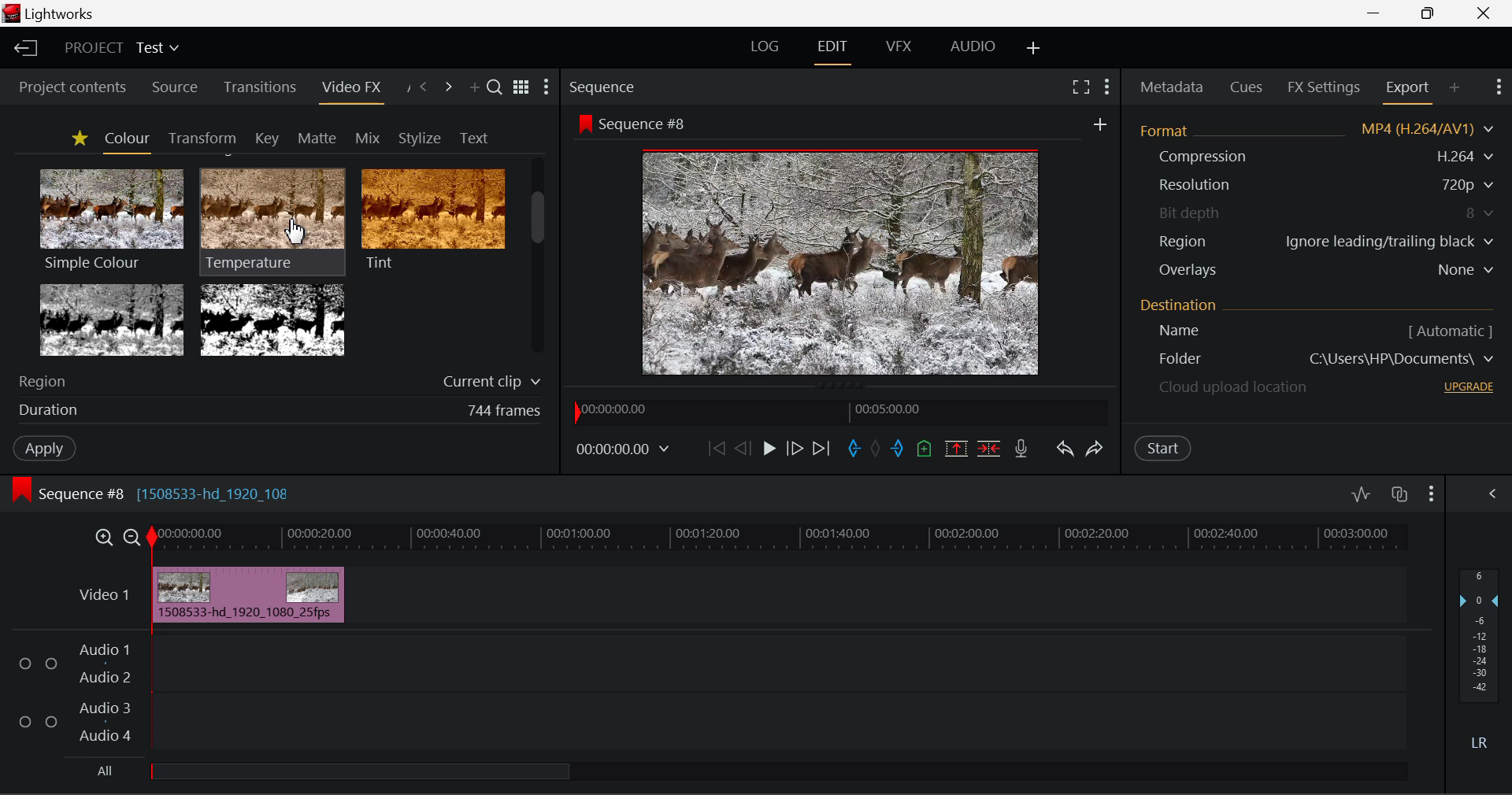 The height and width of the screenshot is (795, 1512). What do you see at coordinates (472, 87) in the screenshot?
I see `Add Panel` at bounding box center [472, 87].